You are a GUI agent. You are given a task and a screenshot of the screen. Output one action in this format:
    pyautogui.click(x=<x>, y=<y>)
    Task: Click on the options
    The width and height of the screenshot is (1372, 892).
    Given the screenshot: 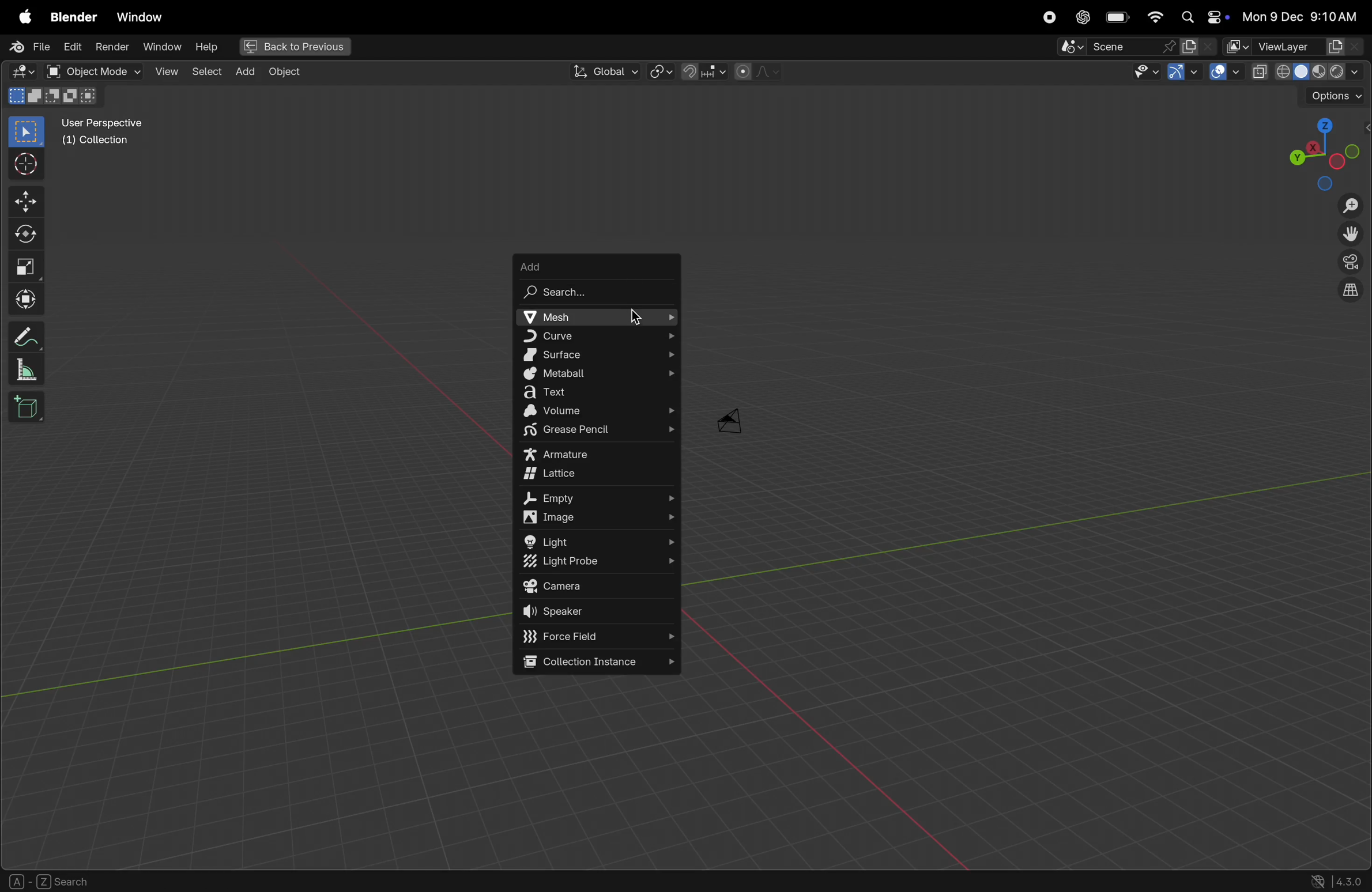 What is the action you would take?
    pyautogui.click(x=1335, y=97)
    